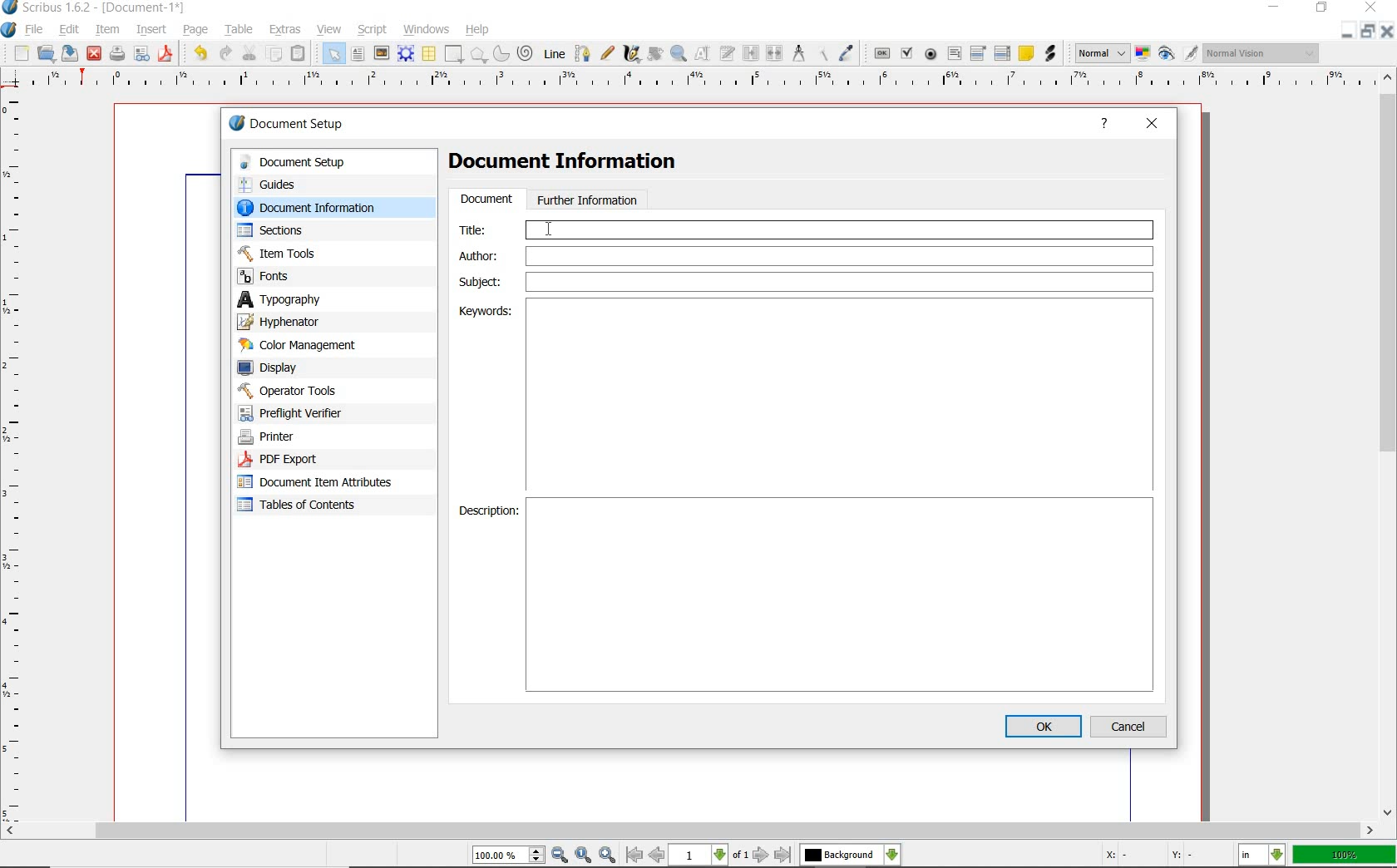 The image size is (1397, 868). What do you see at coordinates (320, 162) in the screenshot?
I see `document setup` at bounding box center [320, 162].